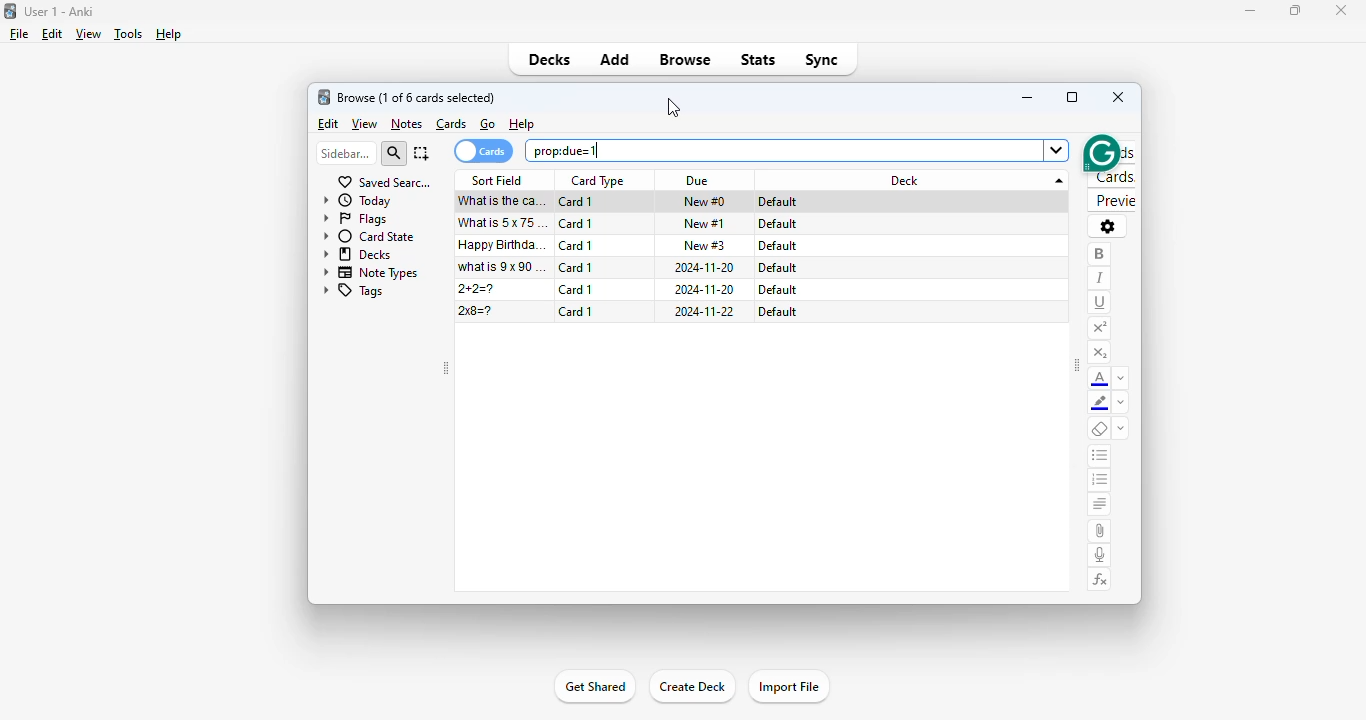 This screenshot has width=1366, height=720. What do you see at coordinates (778, 246) in the screenshot?
I see `default` at bounding box center [778, 246].